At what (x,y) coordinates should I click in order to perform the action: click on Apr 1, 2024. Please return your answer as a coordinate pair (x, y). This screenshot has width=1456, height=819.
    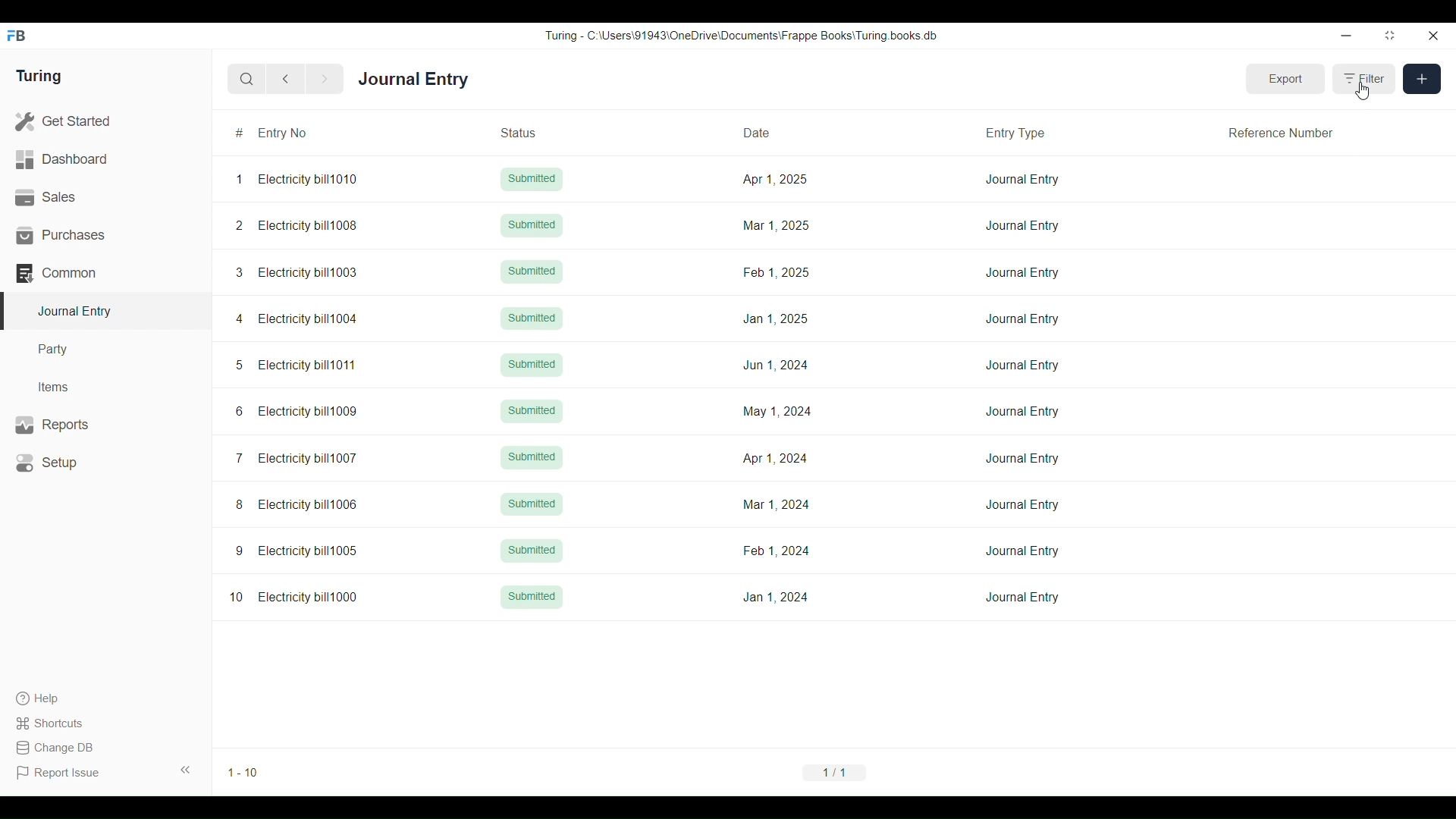
    Looking at the image, I should click on (774, 458).